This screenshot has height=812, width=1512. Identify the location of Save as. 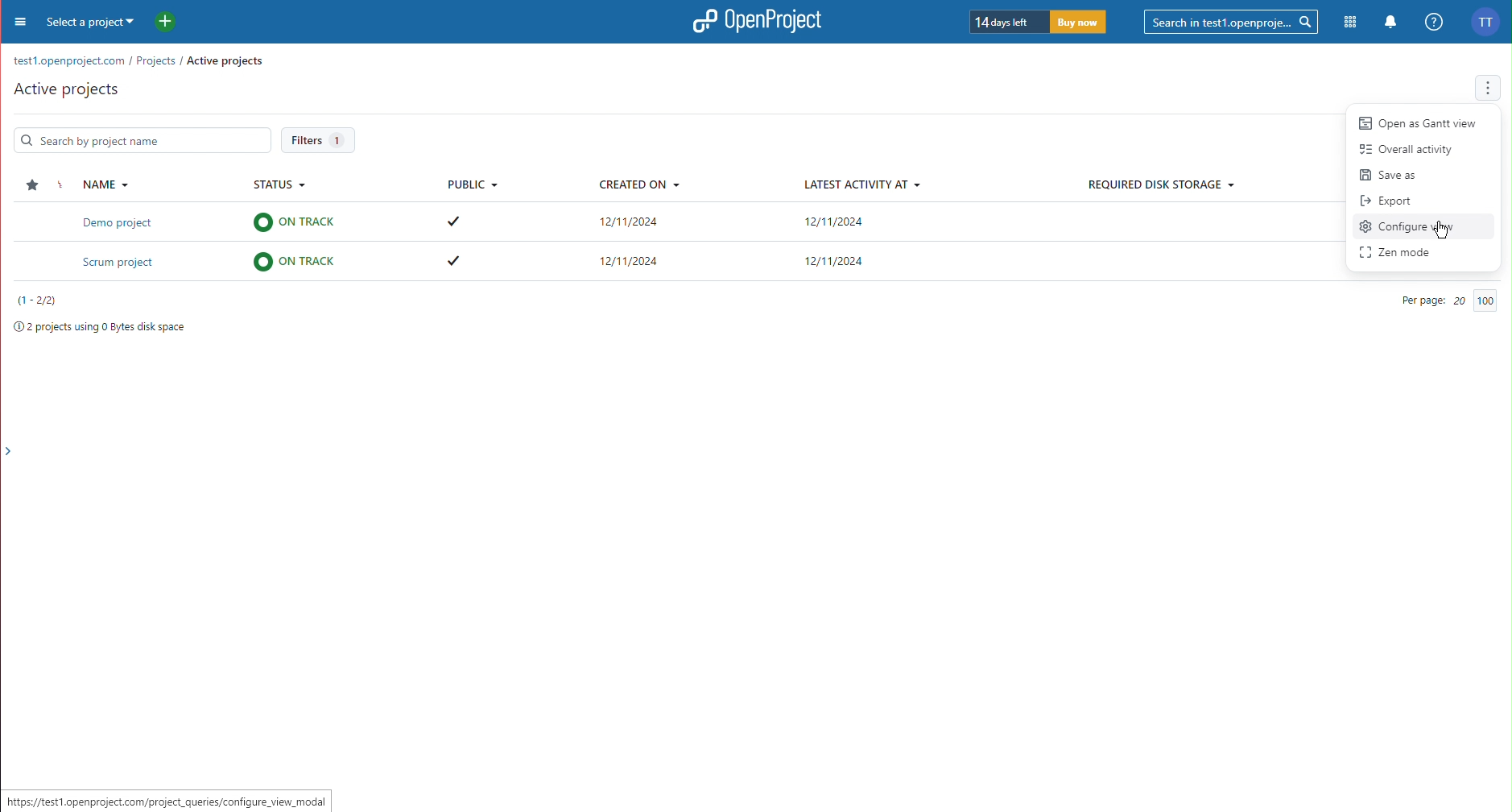
(1386, 174).